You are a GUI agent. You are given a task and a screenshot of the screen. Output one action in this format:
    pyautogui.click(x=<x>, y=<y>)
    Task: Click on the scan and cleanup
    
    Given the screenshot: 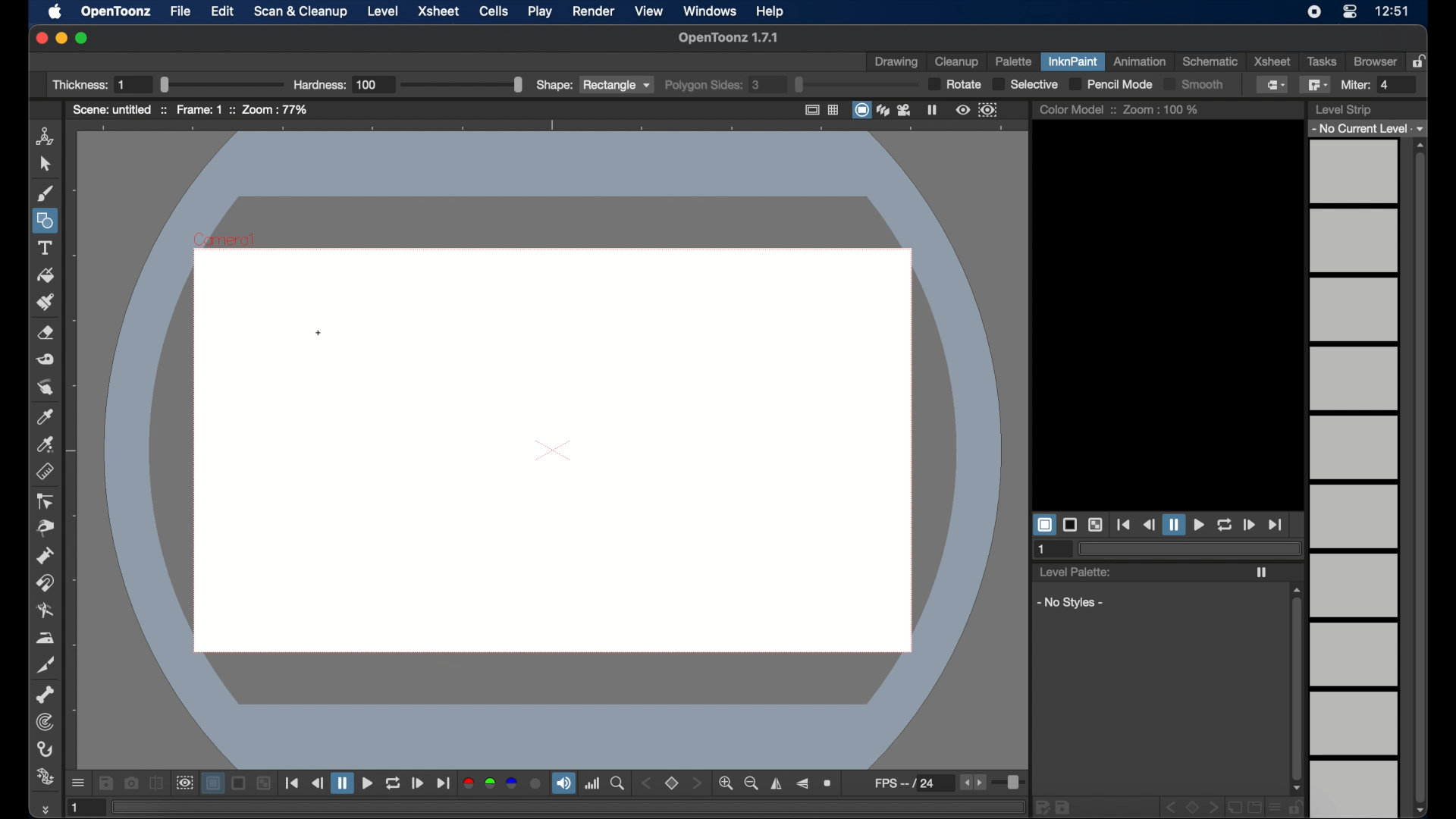 What is the action you would take?
    pyautogui.click(x=302, y=11)
    